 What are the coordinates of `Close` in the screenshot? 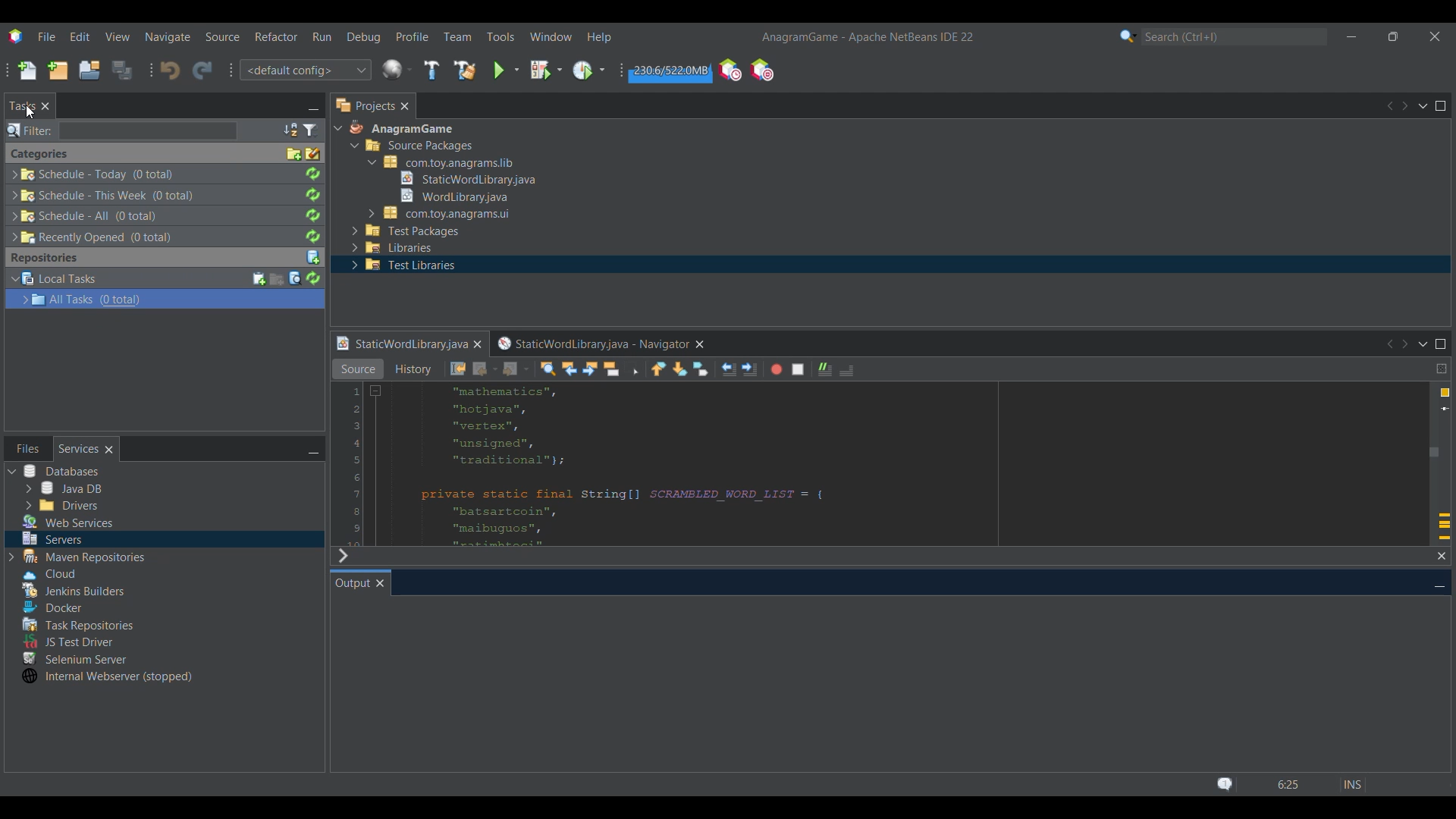 It's located at (109, 449).